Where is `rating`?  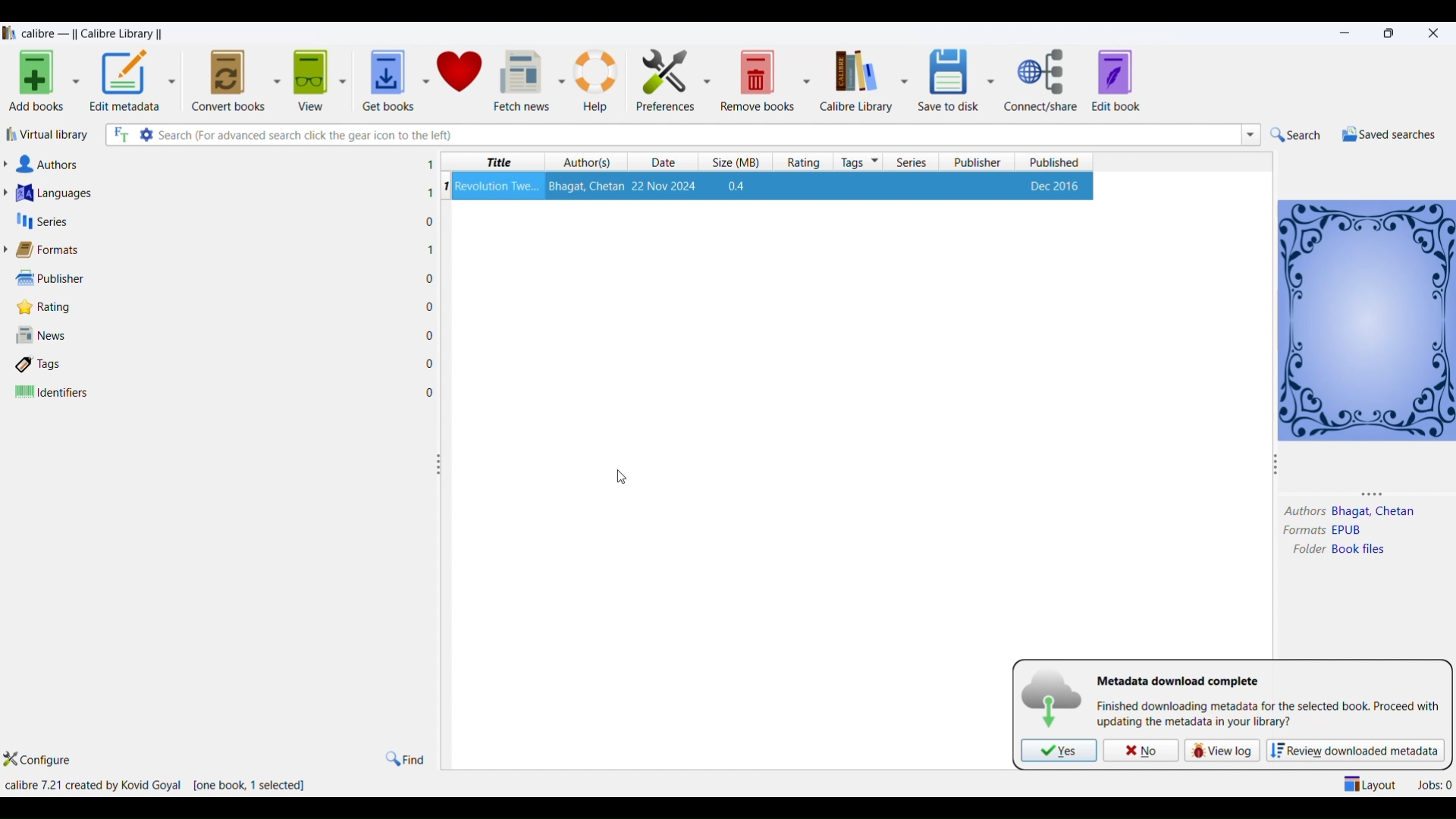
rating is located at coordinates (799, 162).